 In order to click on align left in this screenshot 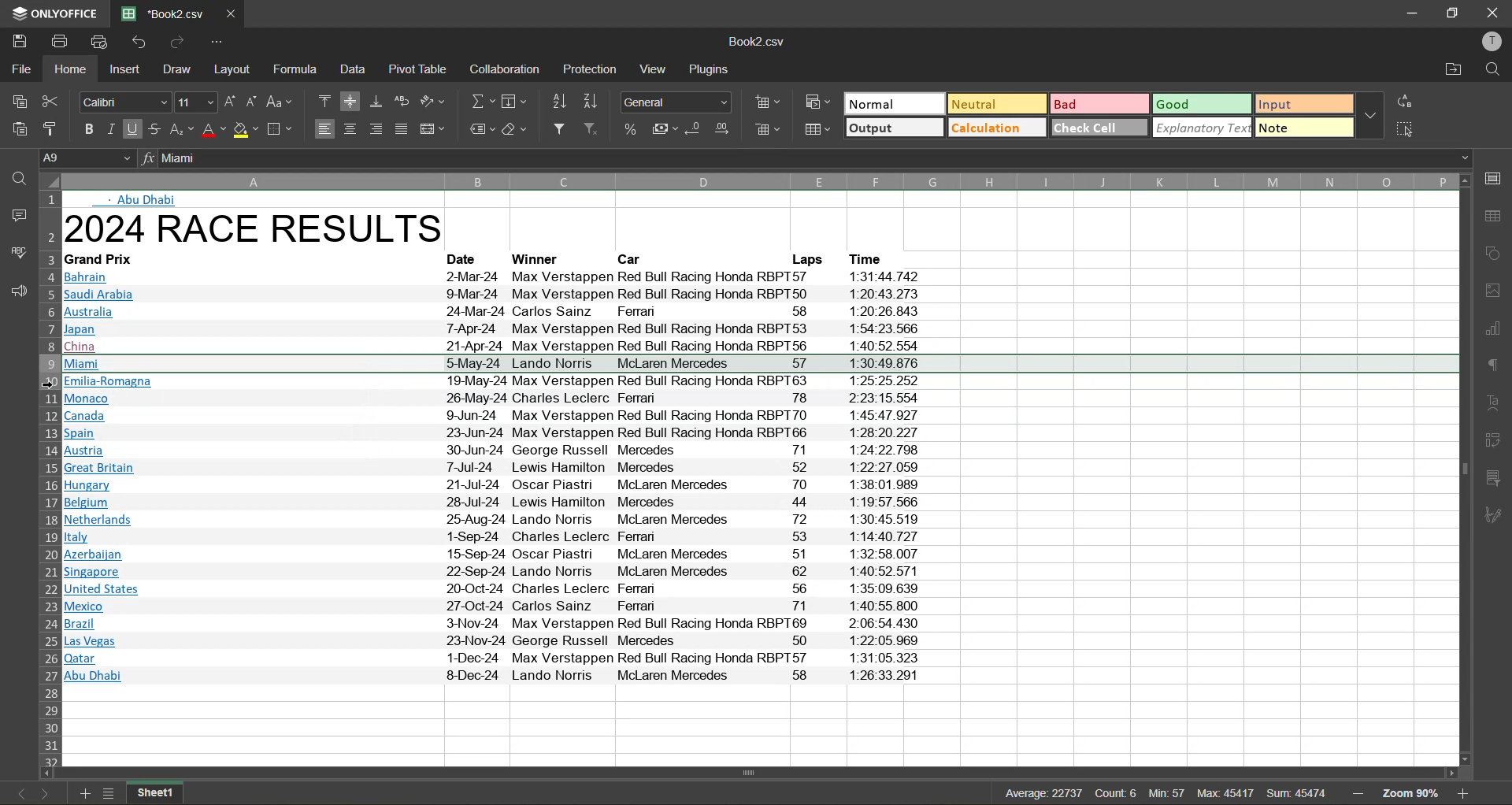, I will do `click(324, 129)`.